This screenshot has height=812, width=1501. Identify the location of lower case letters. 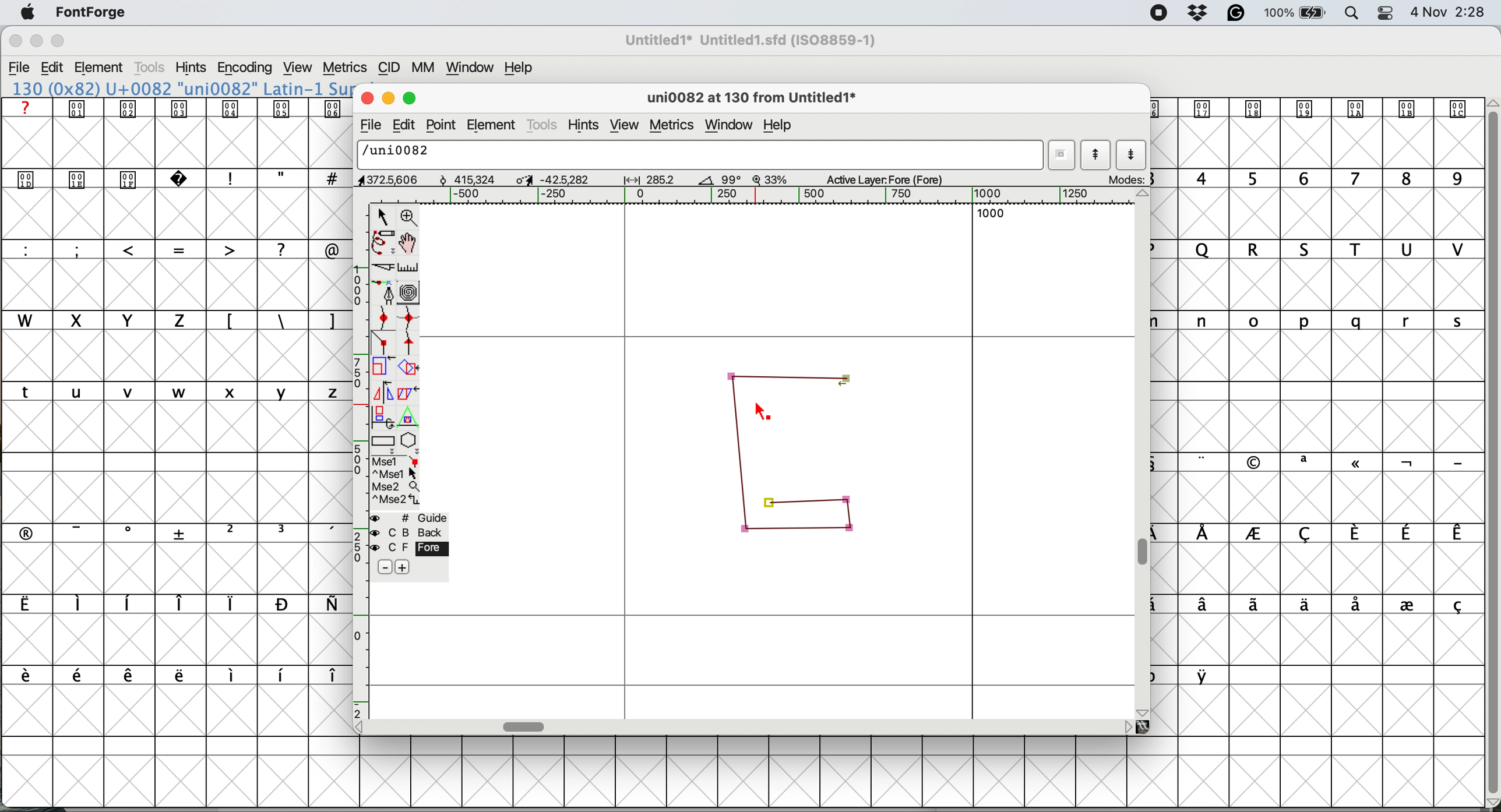
(177, 391).